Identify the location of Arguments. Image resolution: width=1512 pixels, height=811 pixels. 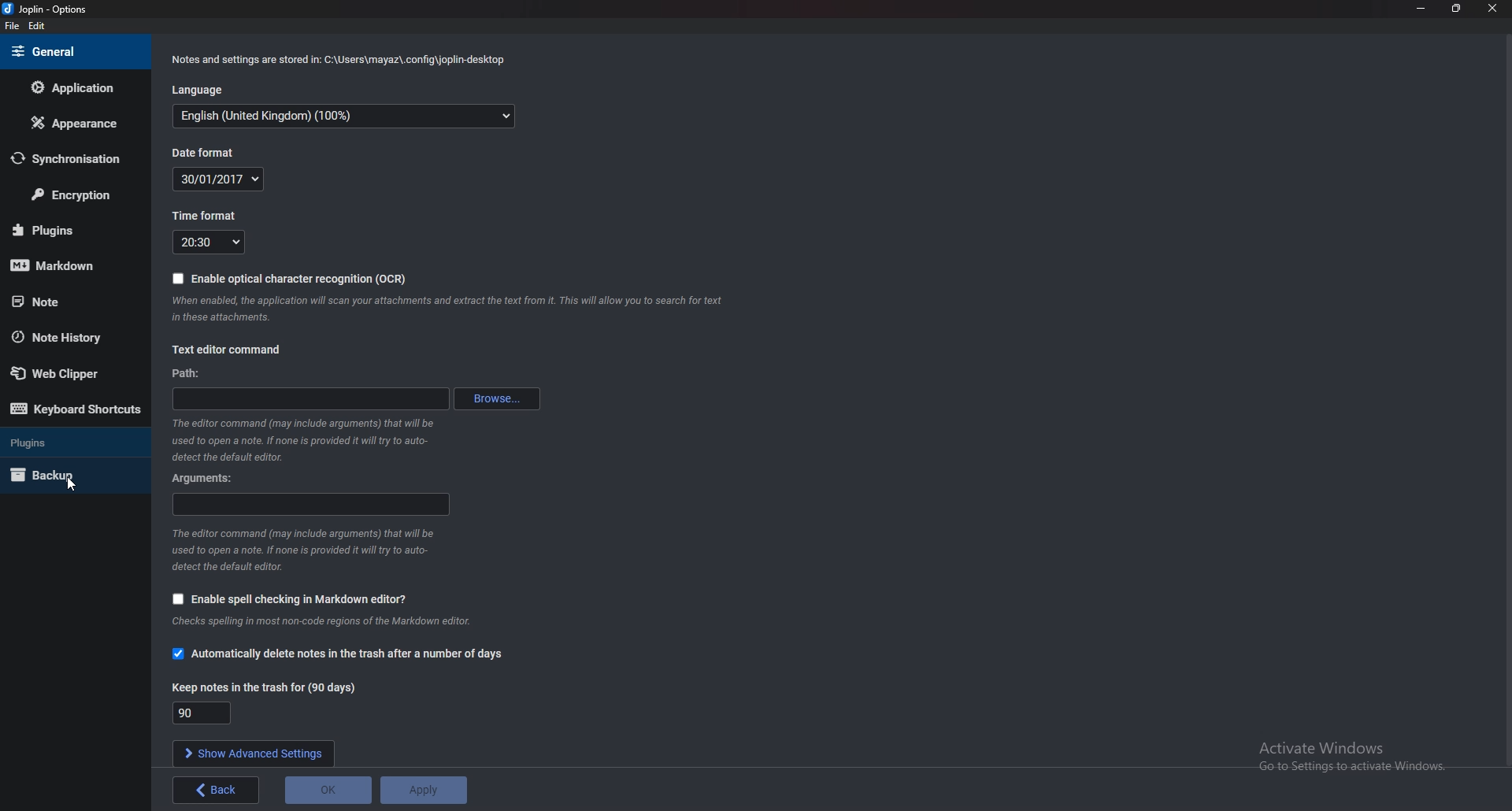
(207, 480).